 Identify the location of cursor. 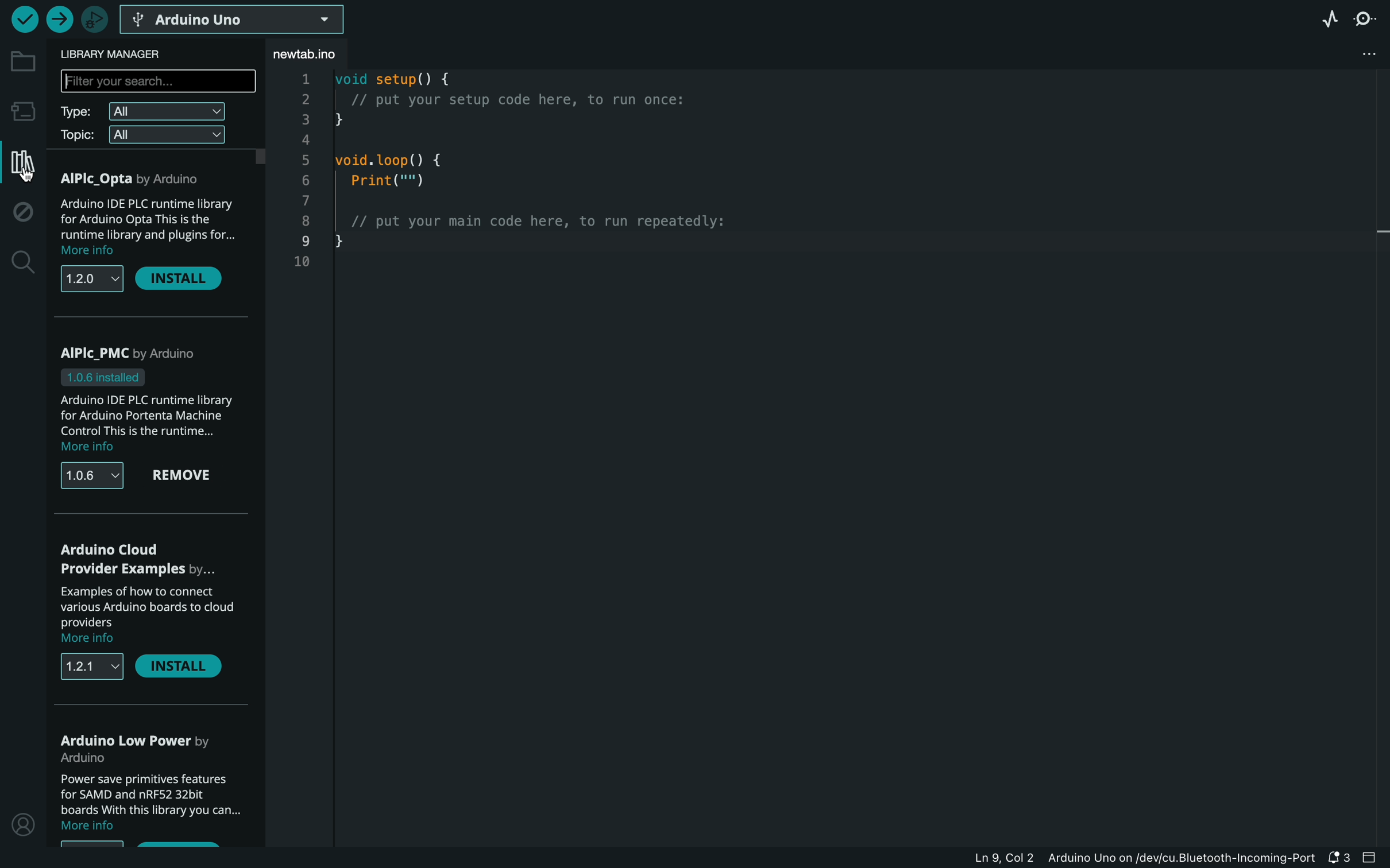
(24, 172).